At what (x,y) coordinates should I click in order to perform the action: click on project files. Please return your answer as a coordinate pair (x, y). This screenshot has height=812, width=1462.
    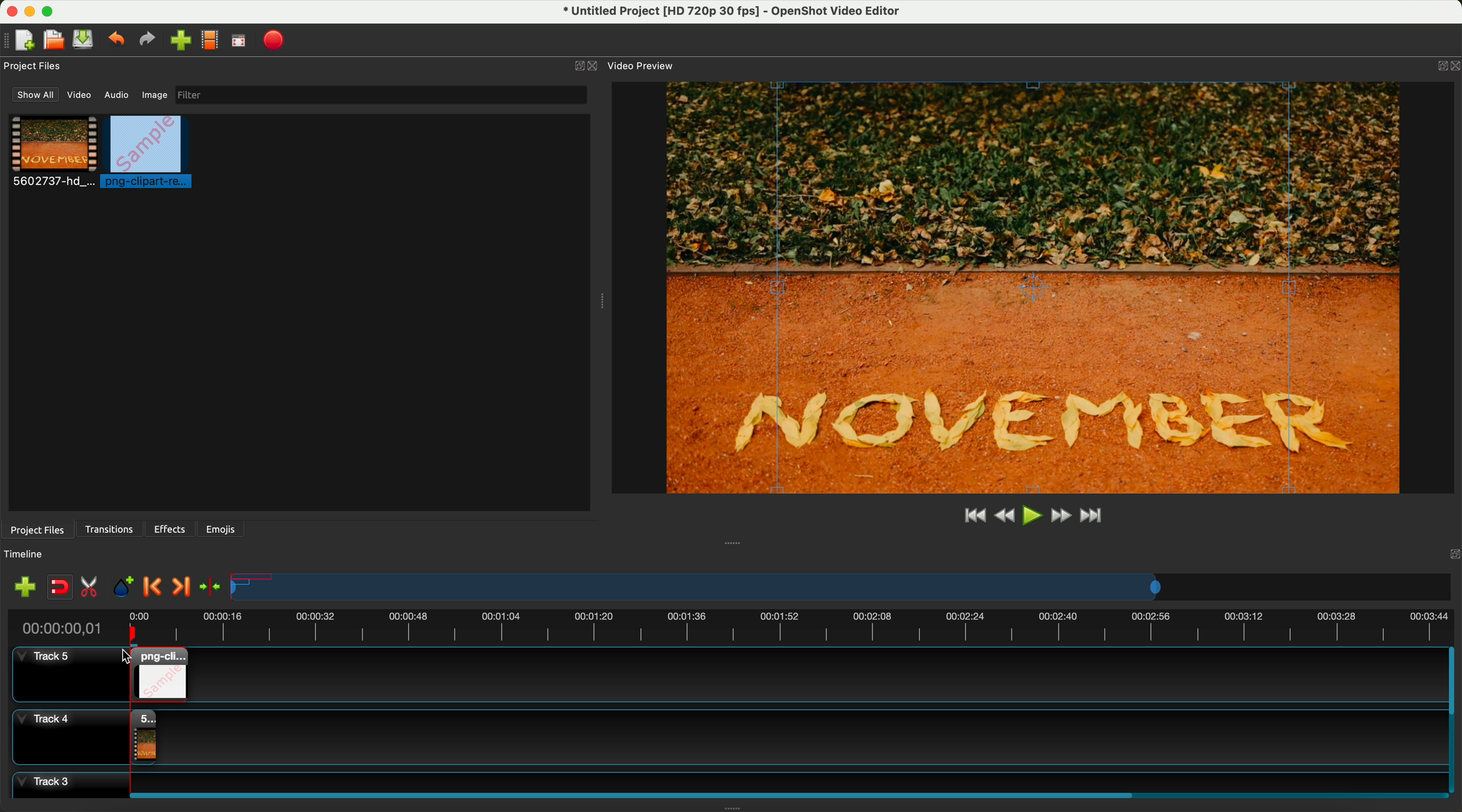
    Looking at the image, I should click on (36, 529).